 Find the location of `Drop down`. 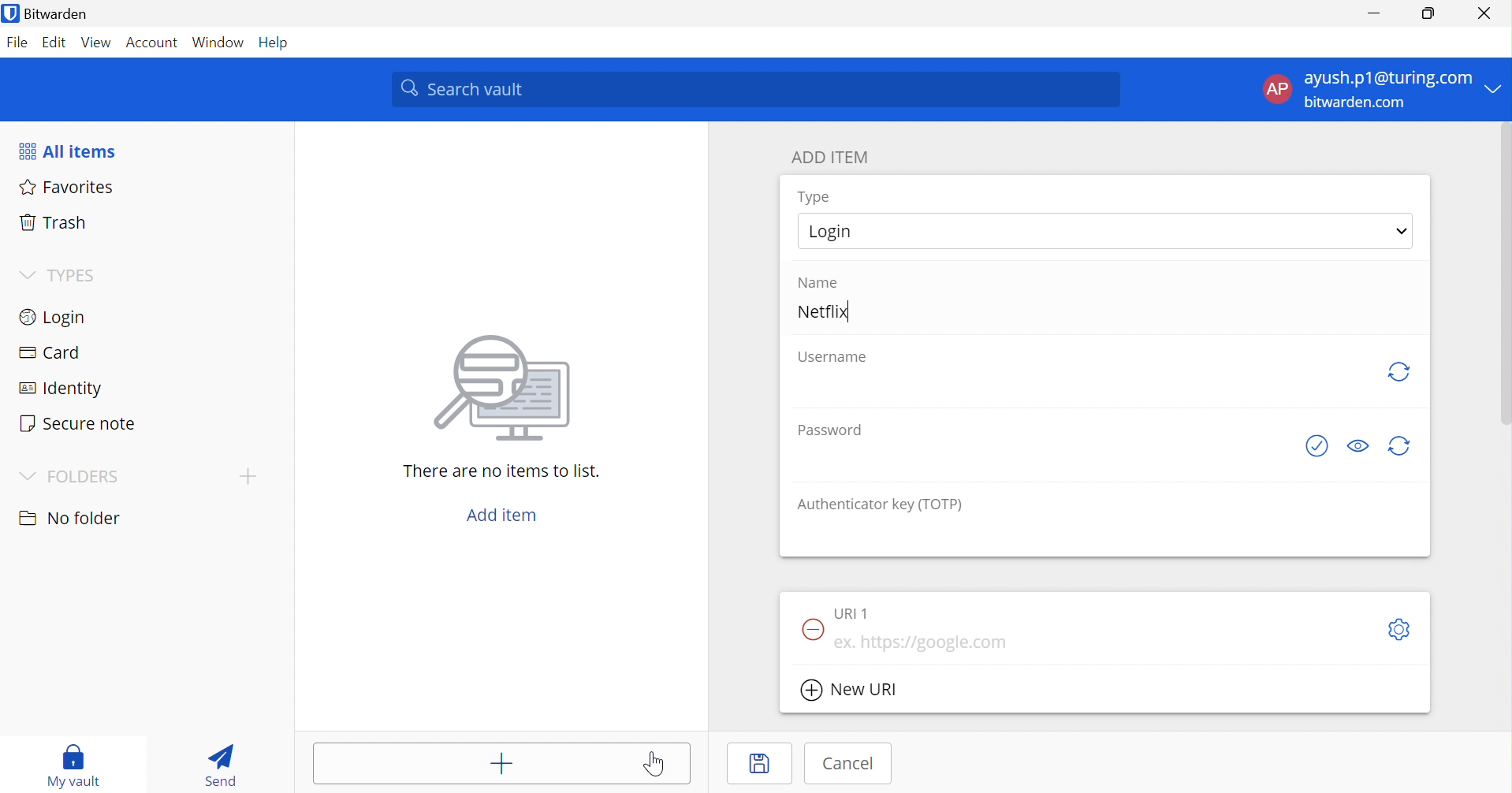

Drop down is located at coordinates (1495, 87).